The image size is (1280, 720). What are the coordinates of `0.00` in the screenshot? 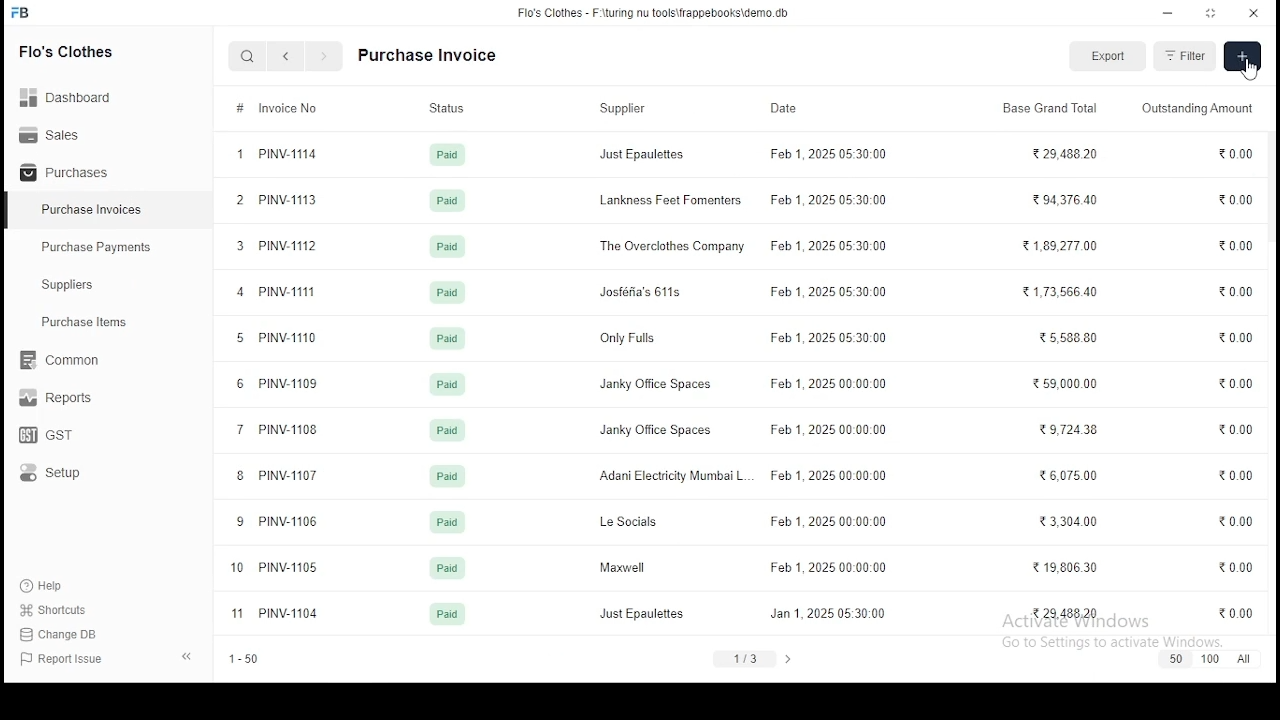 It's located at (1237, 566).